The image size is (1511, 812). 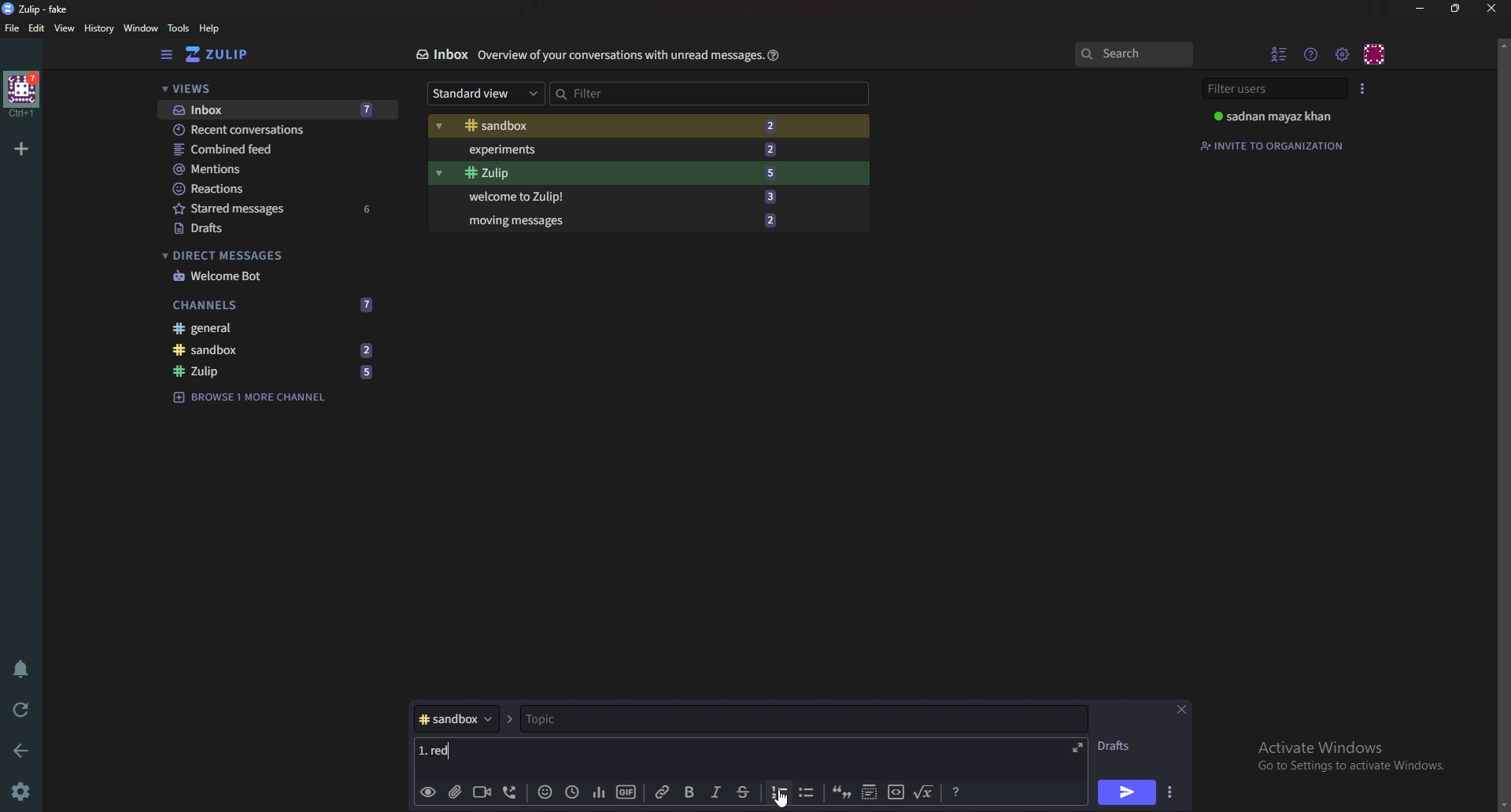 What do you see at coordinates (616, 173) in the screenshot?
I see `Zulip` at bounding box center [616, 173].